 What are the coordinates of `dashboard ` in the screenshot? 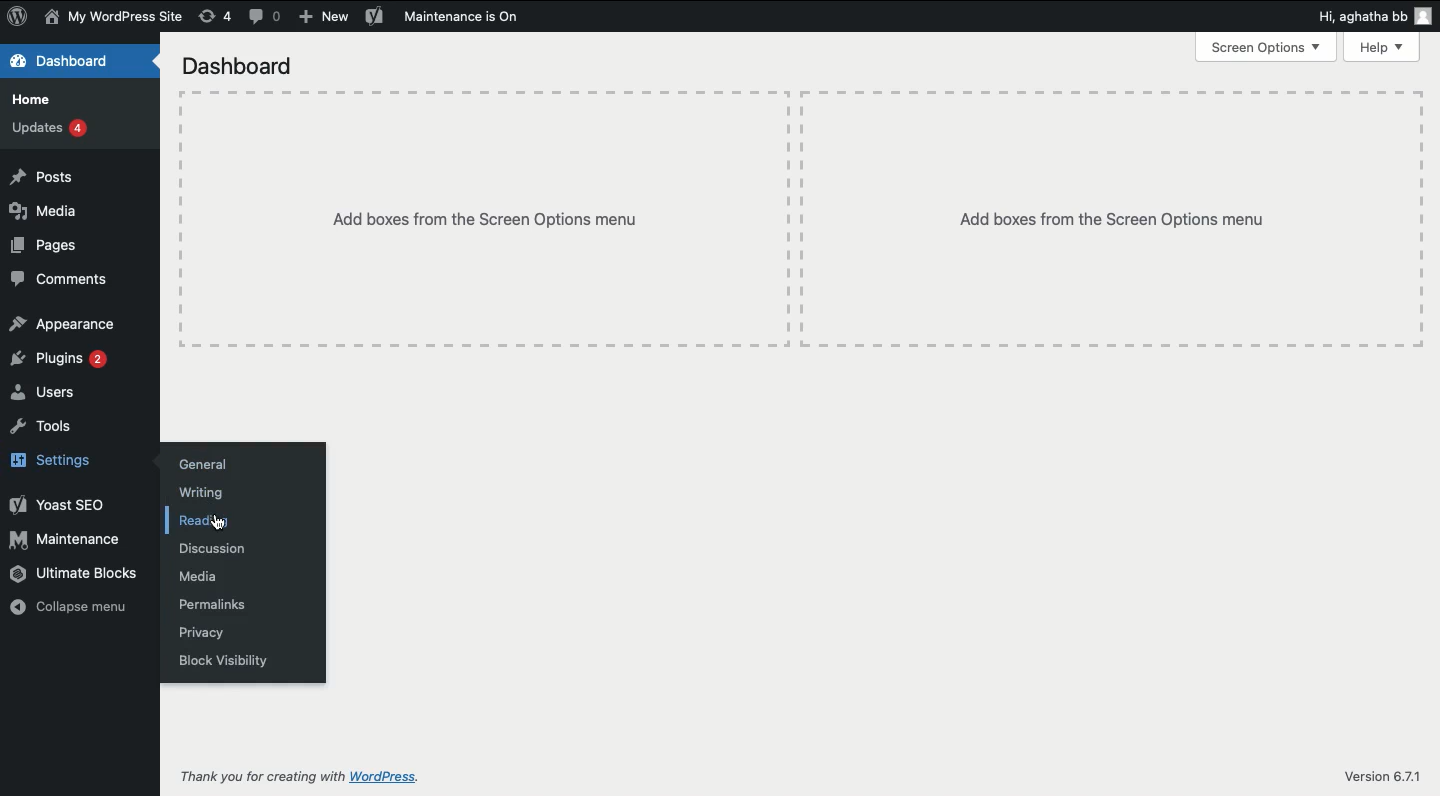 It's located at (61, 61).